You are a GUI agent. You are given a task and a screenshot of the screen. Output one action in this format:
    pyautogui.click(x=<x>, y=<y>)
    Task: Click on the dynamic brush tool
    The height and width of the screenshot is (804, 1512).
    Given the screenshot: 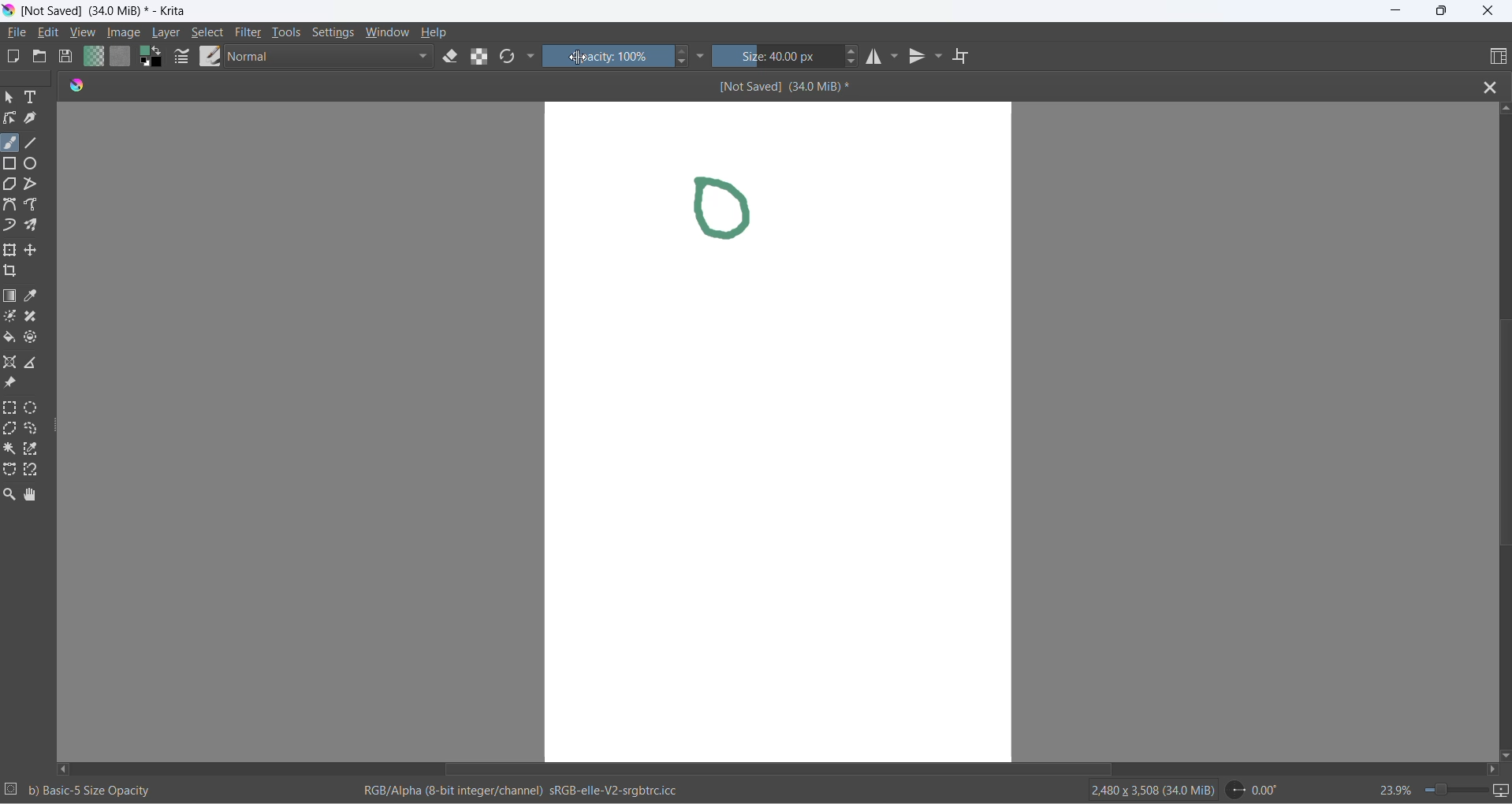 What is the action you would take?
    pyautogui.click(x=13, y=225)
    